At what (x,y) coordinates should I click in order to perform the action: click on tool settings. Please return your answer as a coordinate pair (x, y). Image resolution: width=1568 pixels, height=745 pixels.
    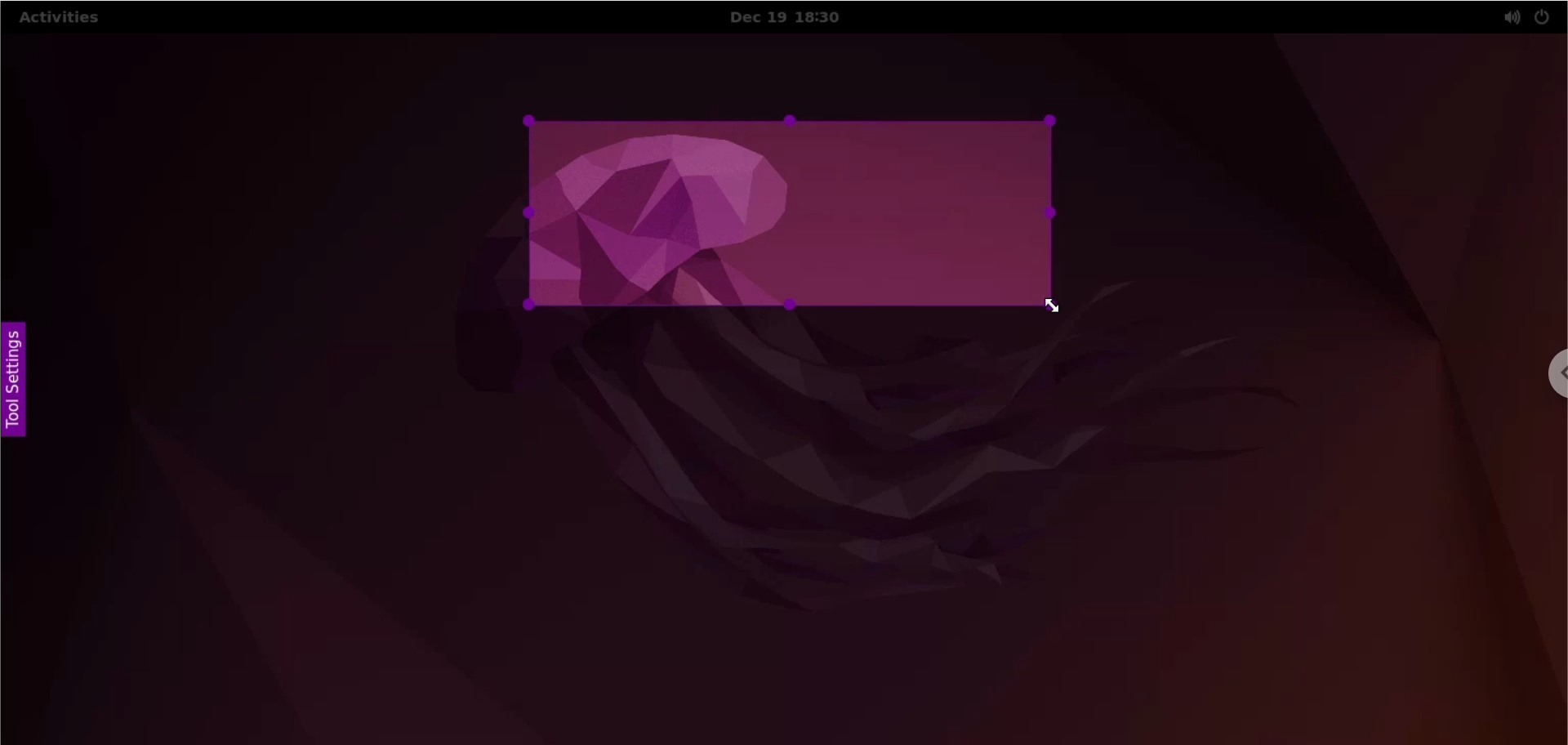
    Looking at the image, I should click on (24, 384).